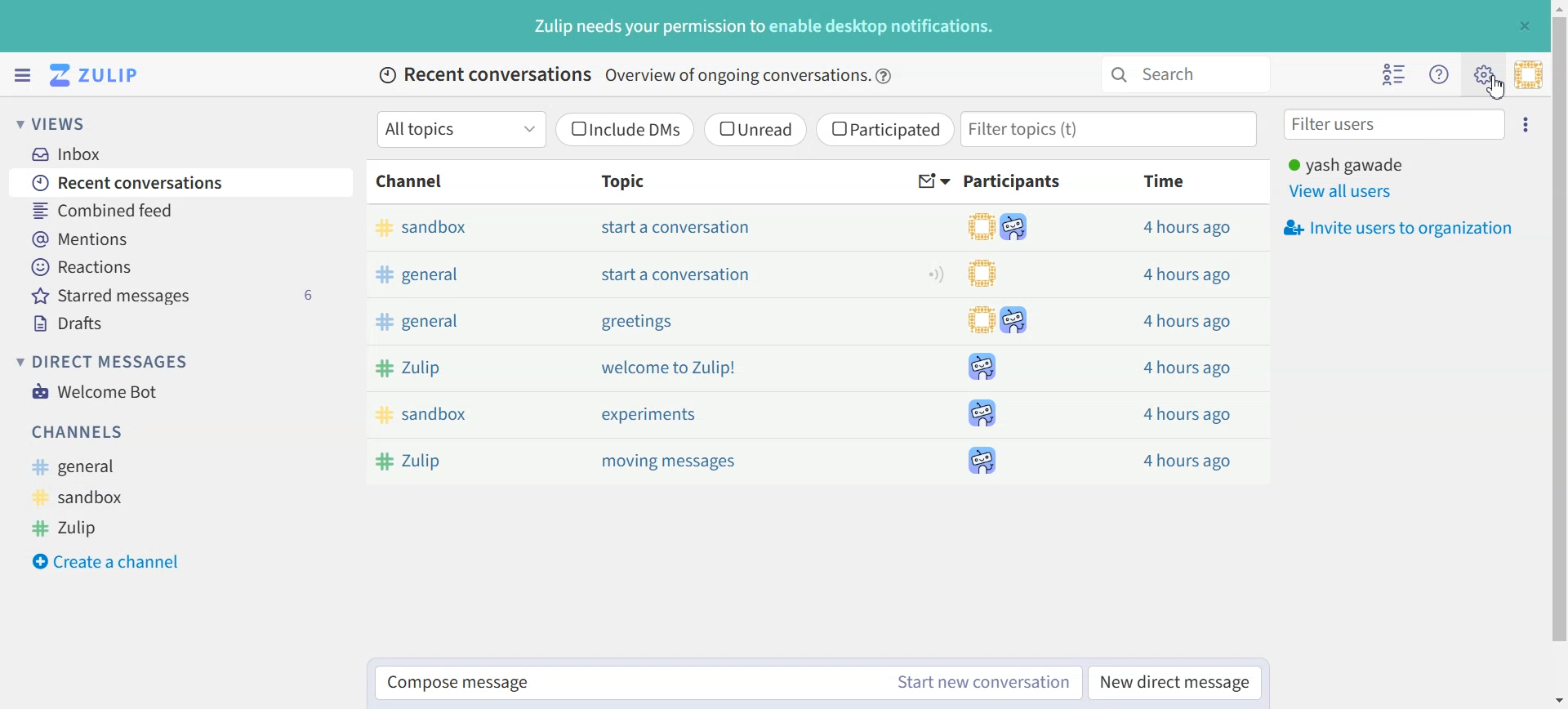 This screenshot has width=1568, height=709. Describe the element at coordinates (97, 75) in the screenshot. I see `Logo` at that location.